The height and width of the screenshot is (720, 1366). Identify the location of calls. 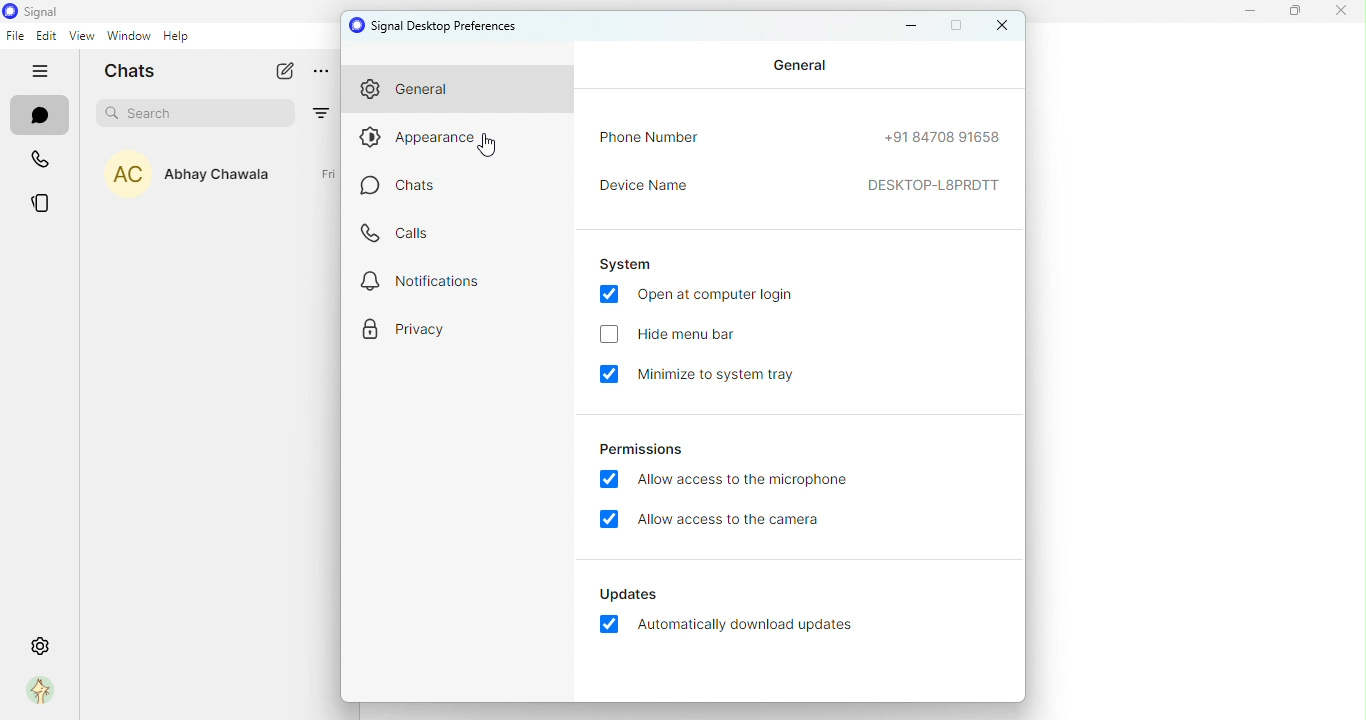
(42, 160).